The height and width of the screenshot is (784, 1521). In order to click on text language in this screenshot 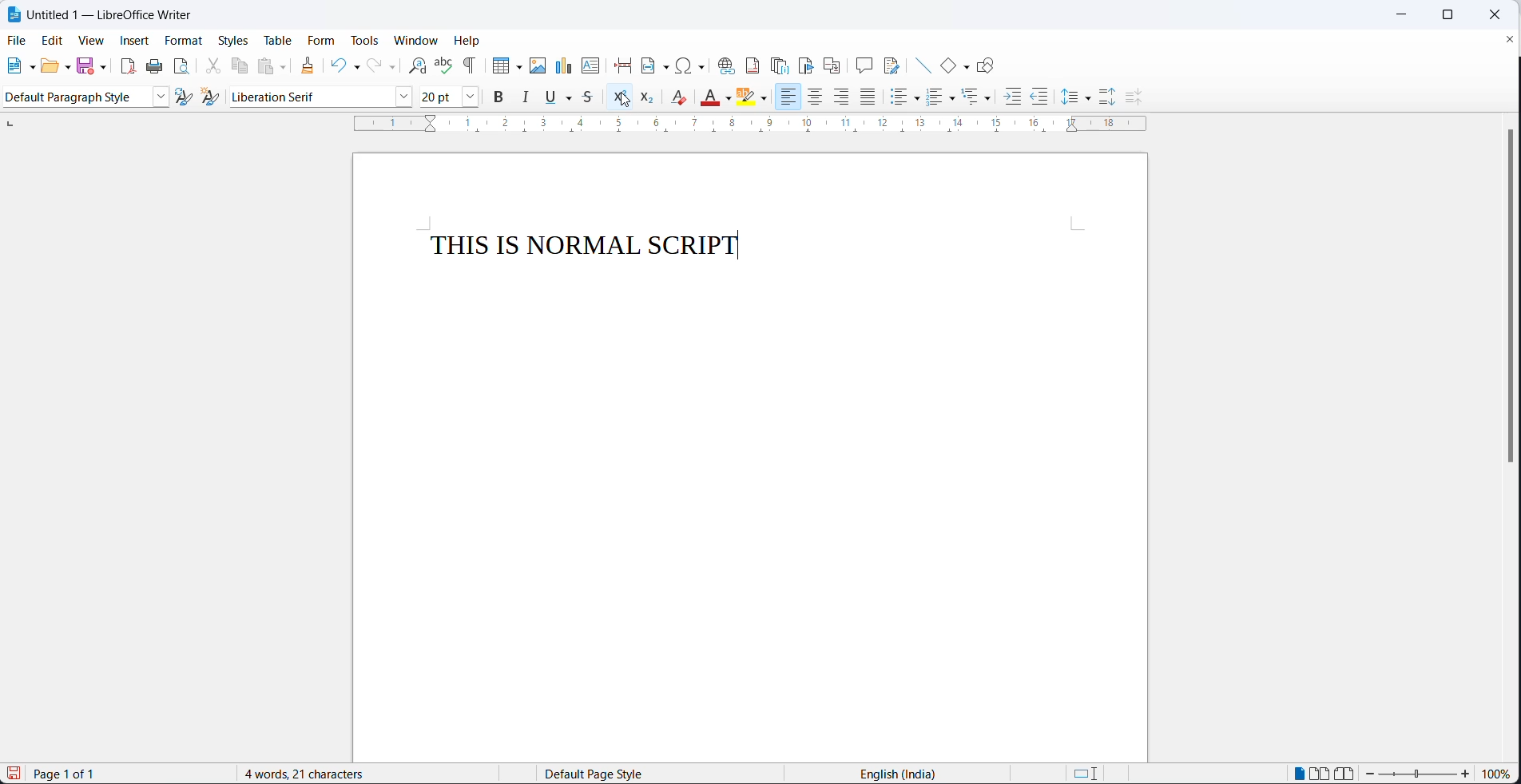, I will do `click(901, 774)`.